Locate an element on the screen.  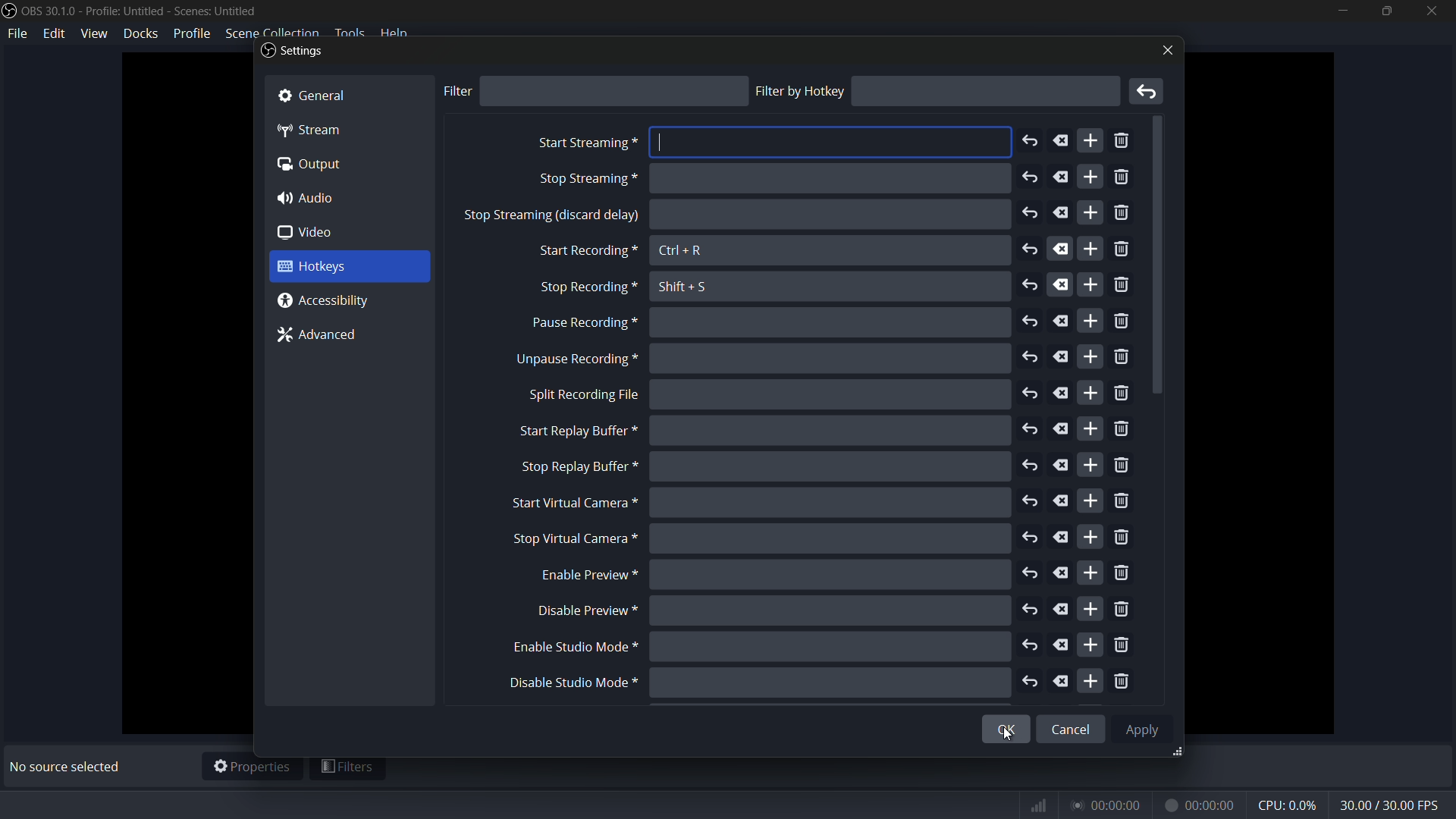
add more is located at coordinates (1090, 643).